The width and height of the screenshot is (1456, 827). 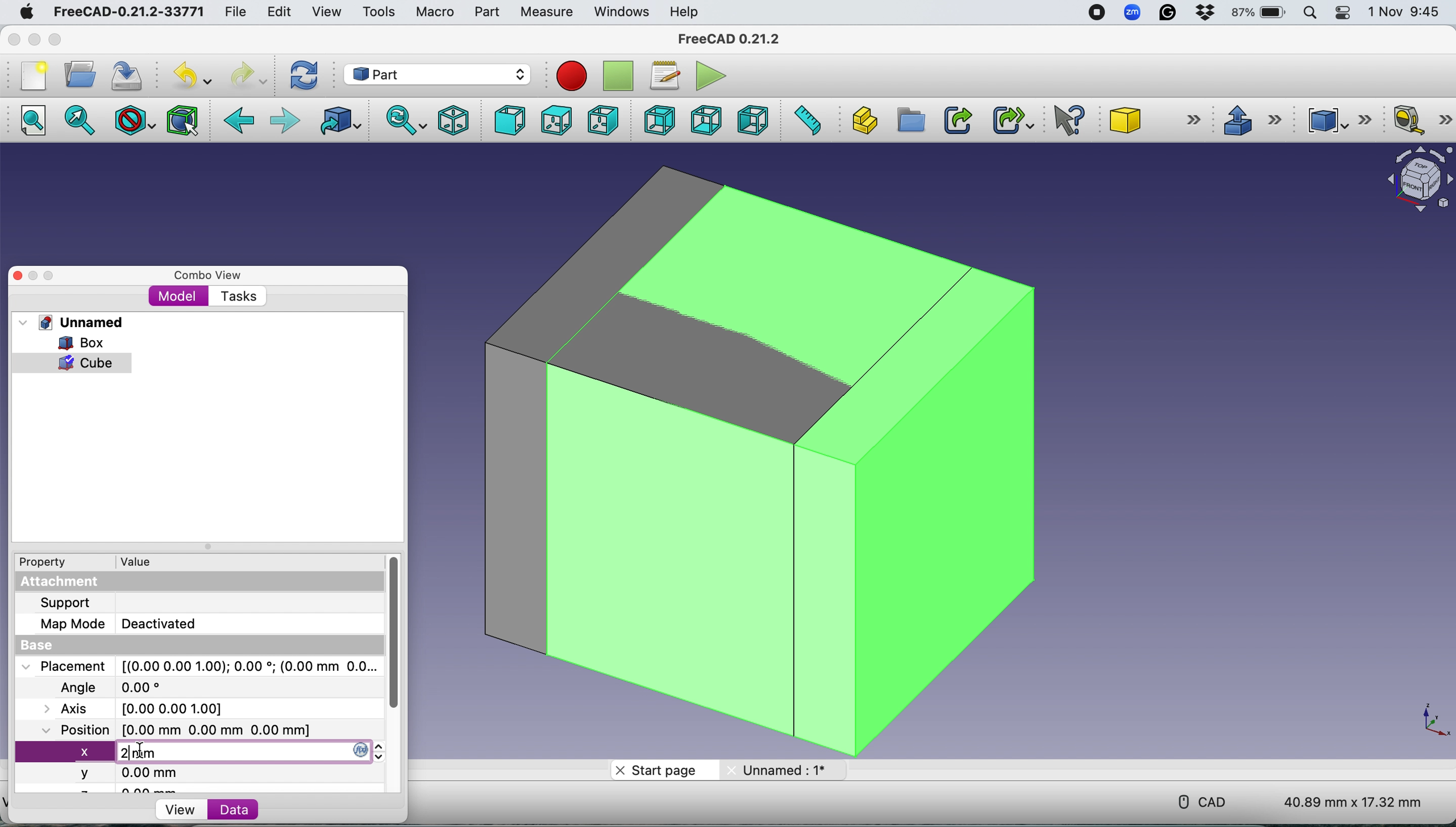 I want to click on Combo view, so click(x=209, y=275).